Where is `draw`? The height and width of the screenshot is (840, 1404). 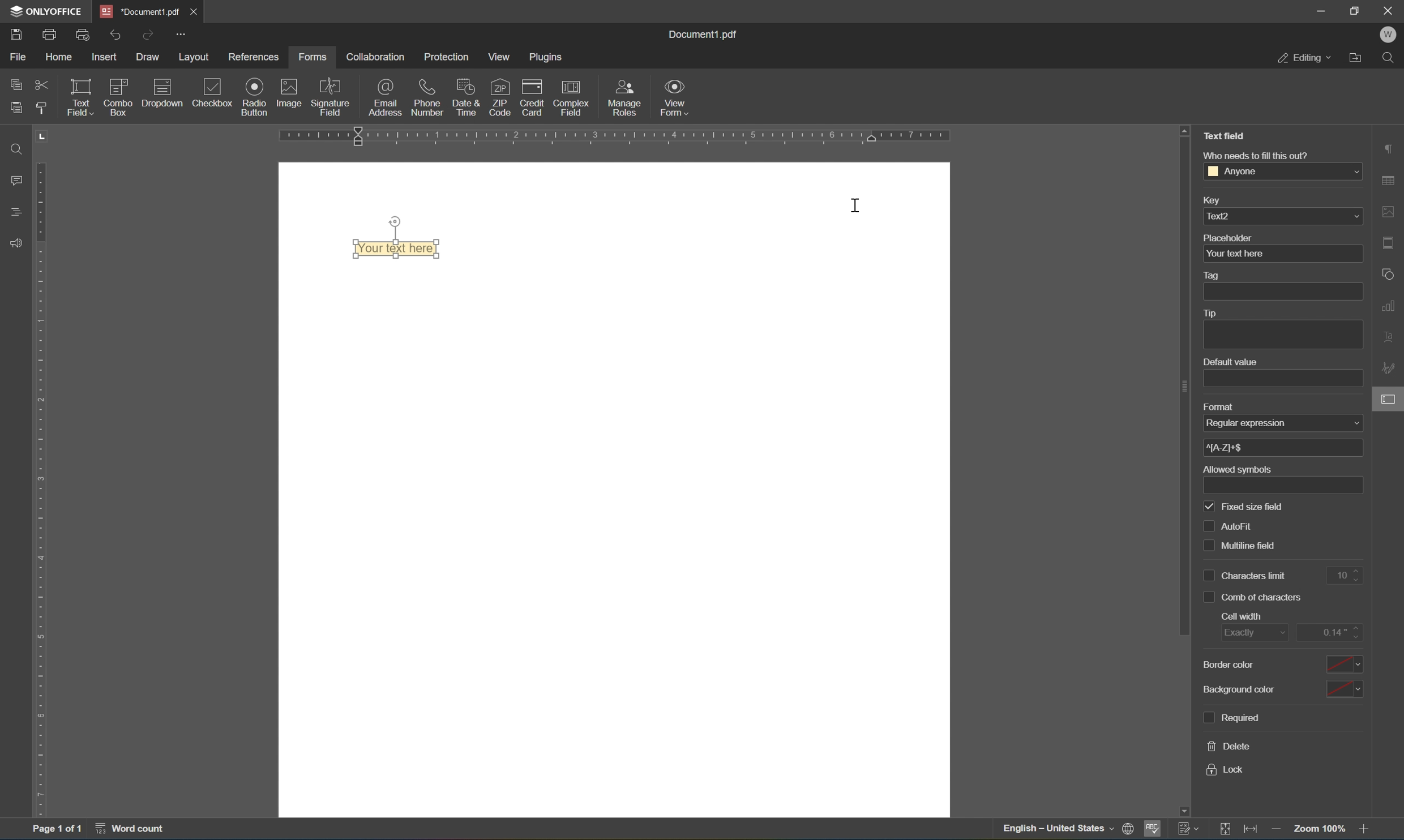 draw is located at coordinates (149, 58).